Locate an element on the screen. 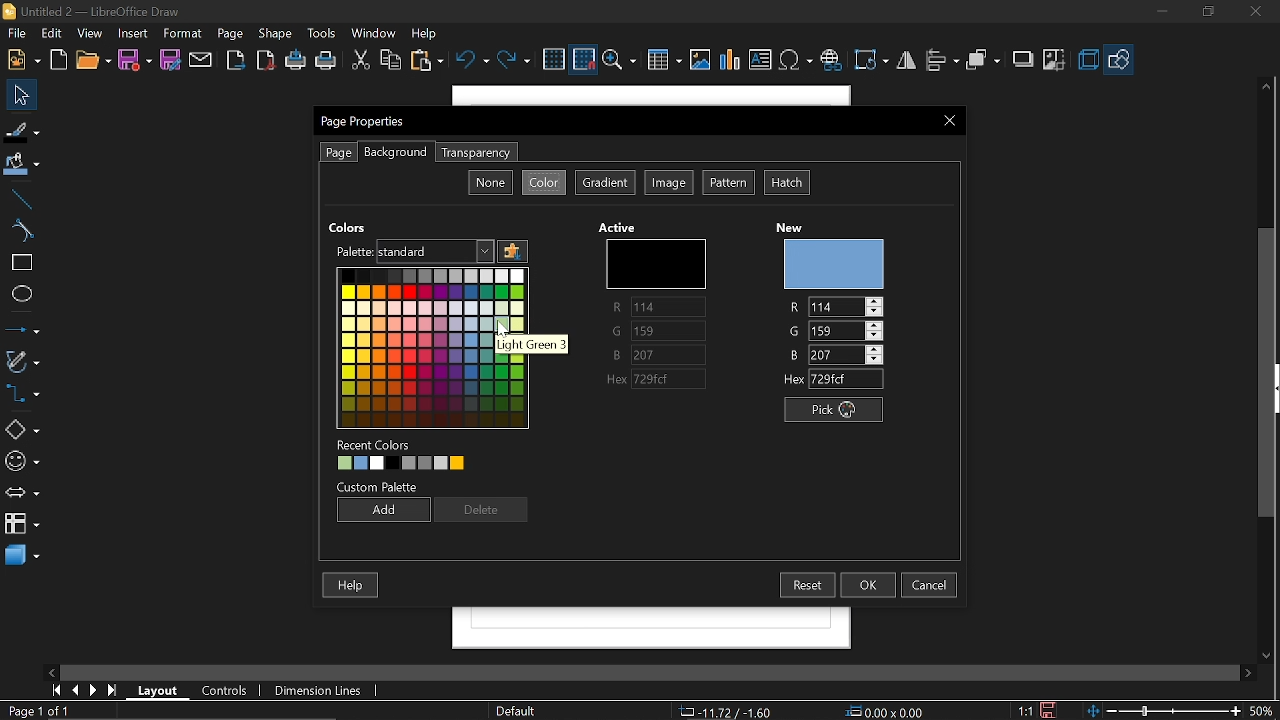 The height and width of the screenshot is (720, 1280). New is located at coordinates (24, 60).